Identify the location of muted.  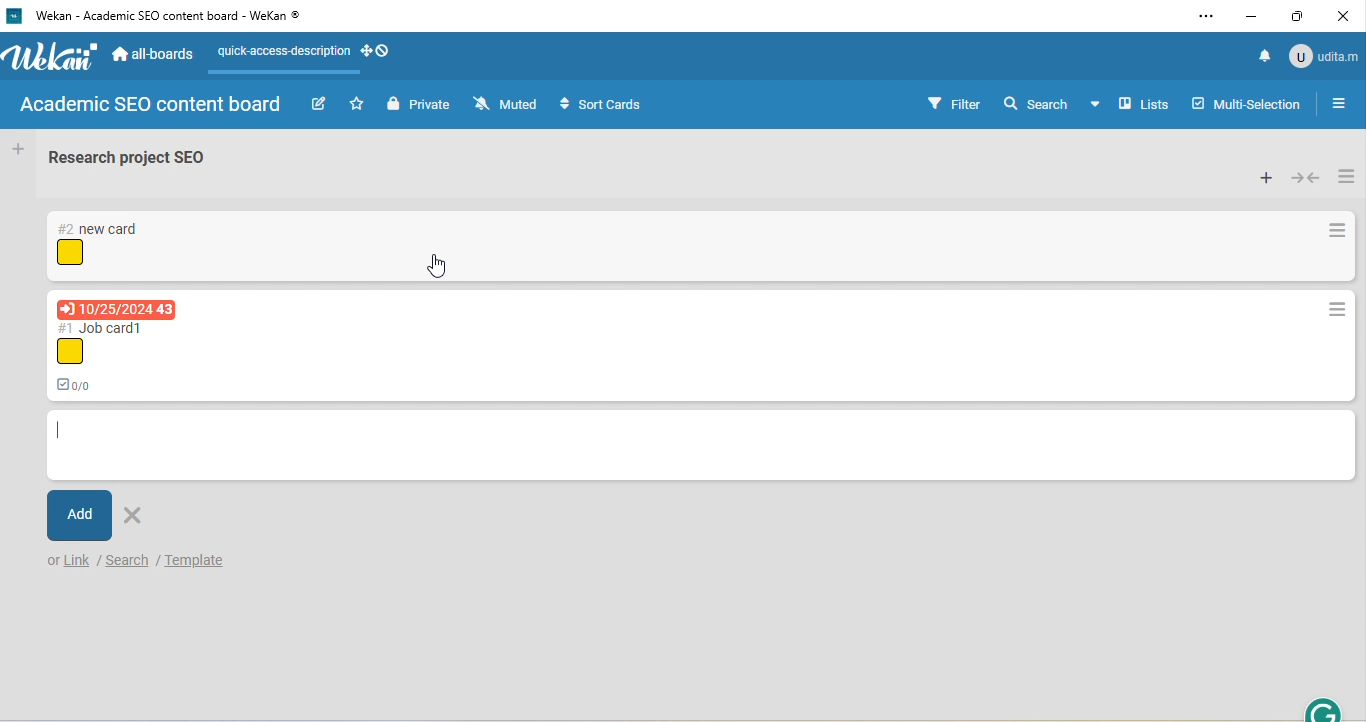
(508, 105).